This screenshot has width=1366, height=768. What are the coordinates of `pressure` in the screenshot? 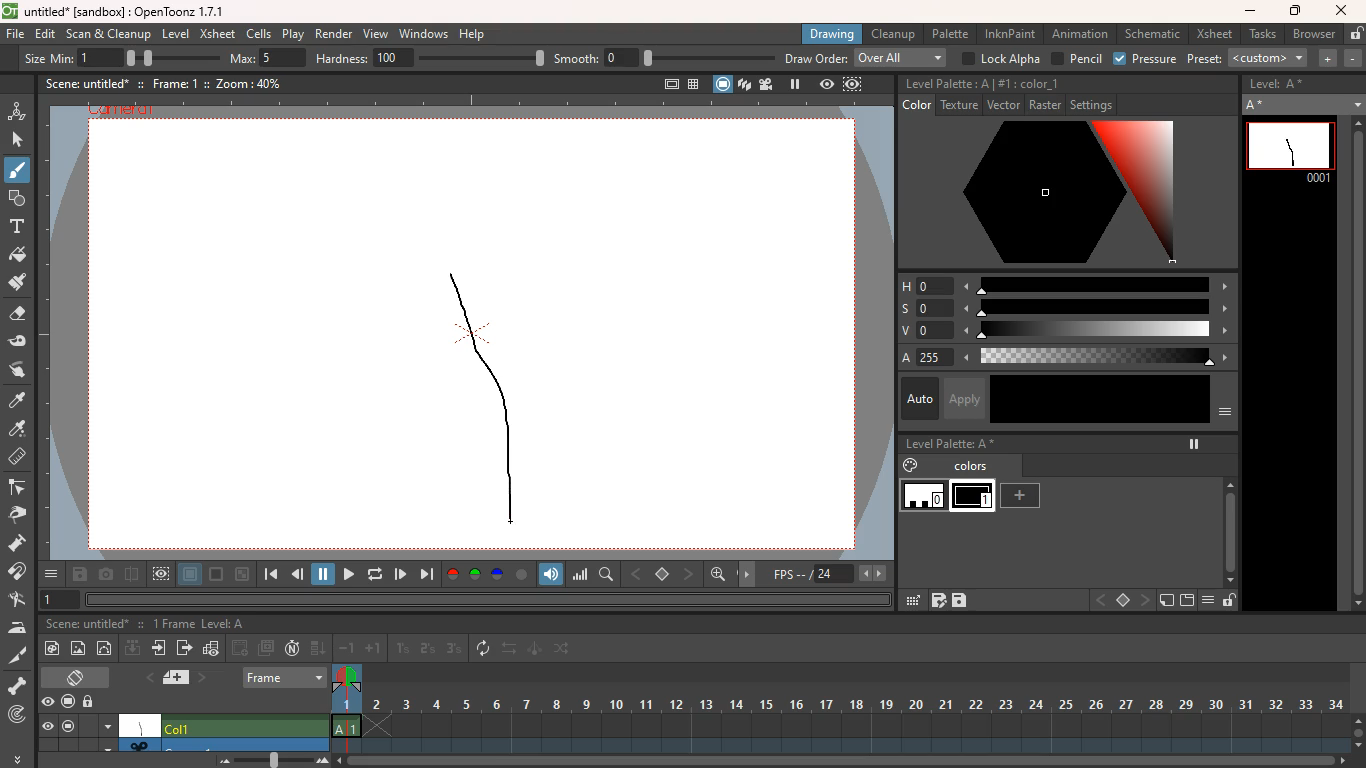 It's located at (1145, 59).